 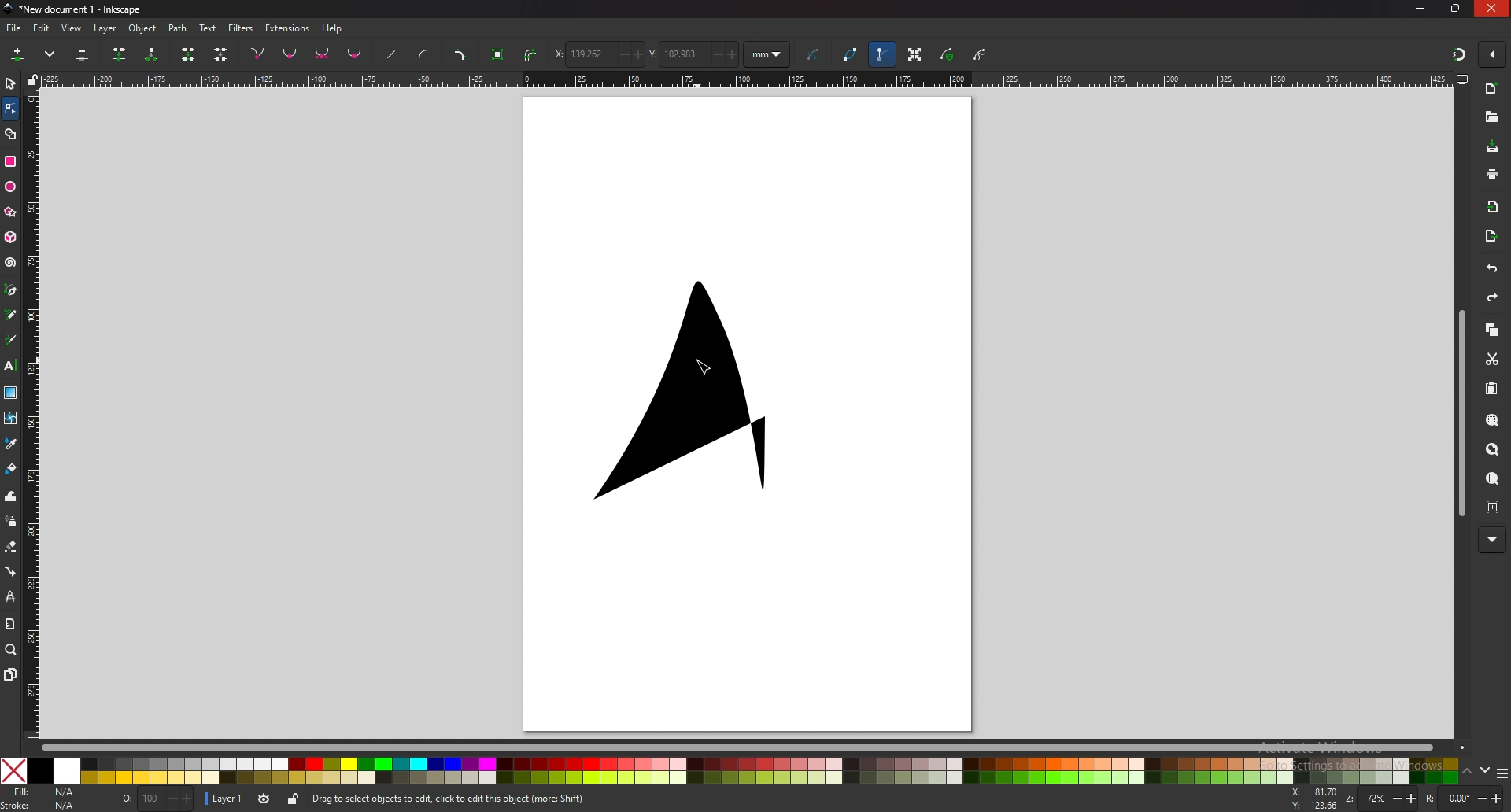 What do you see at coordinates (323, 54) in the screenshot?
I see `nodes symmetrical` at bounding box center [323, 54].